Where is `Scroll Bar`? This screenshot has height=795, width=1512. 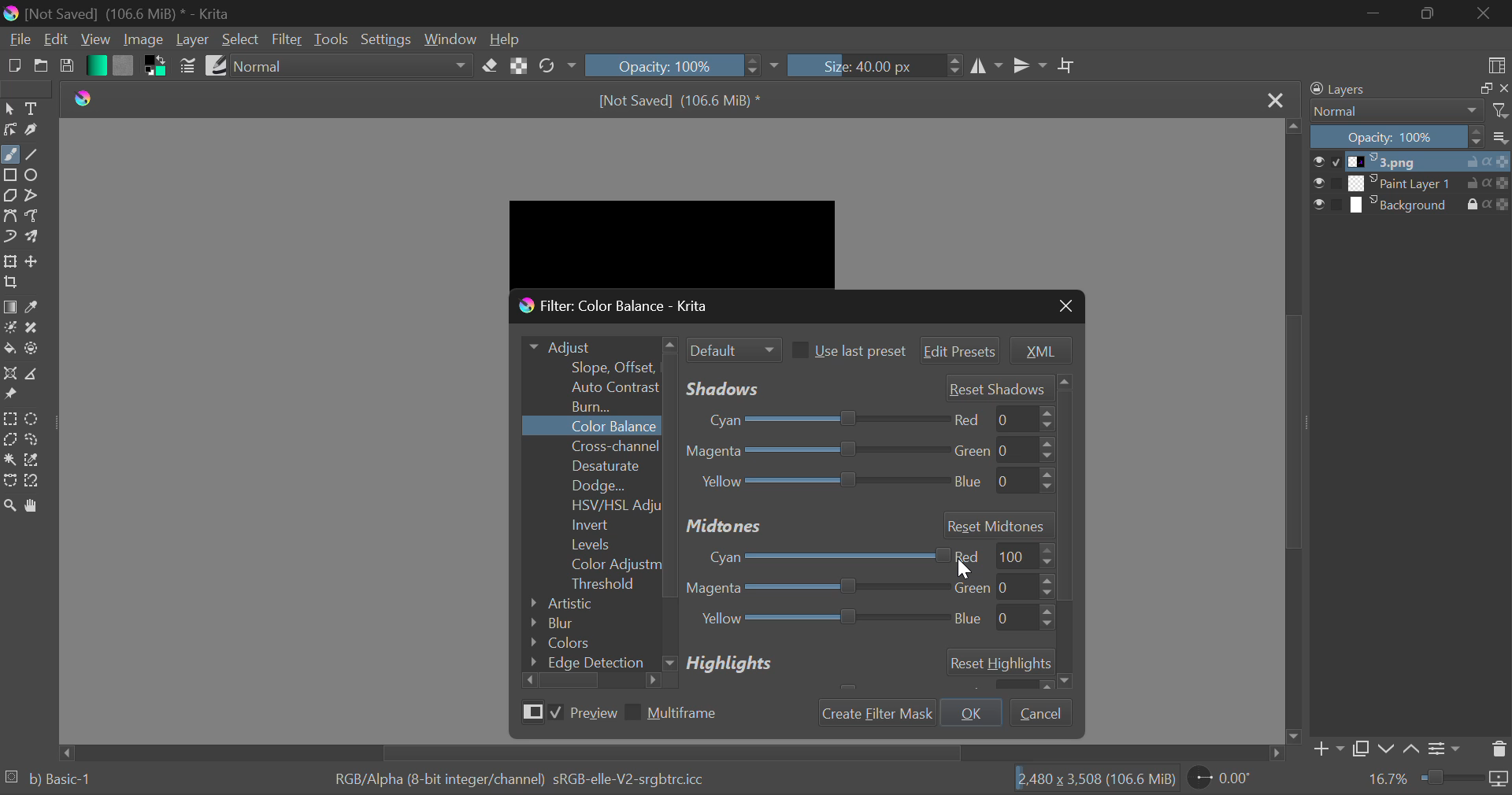 Scroll Bar is located at coordinates (591, 680).